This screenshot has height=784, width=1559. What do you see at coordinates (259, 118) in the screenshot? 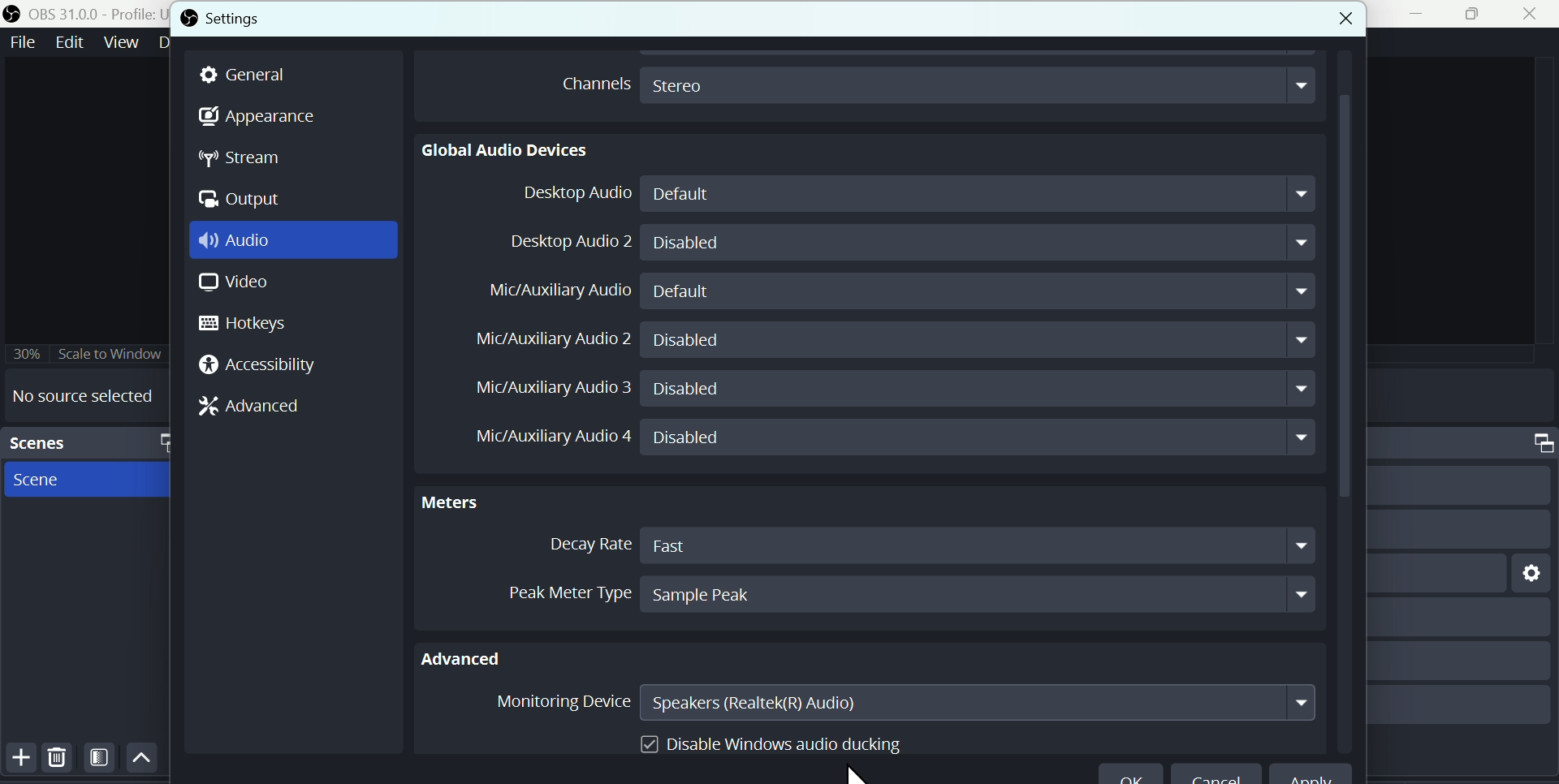
I see `Appearance` at bounding box center [259, 118].